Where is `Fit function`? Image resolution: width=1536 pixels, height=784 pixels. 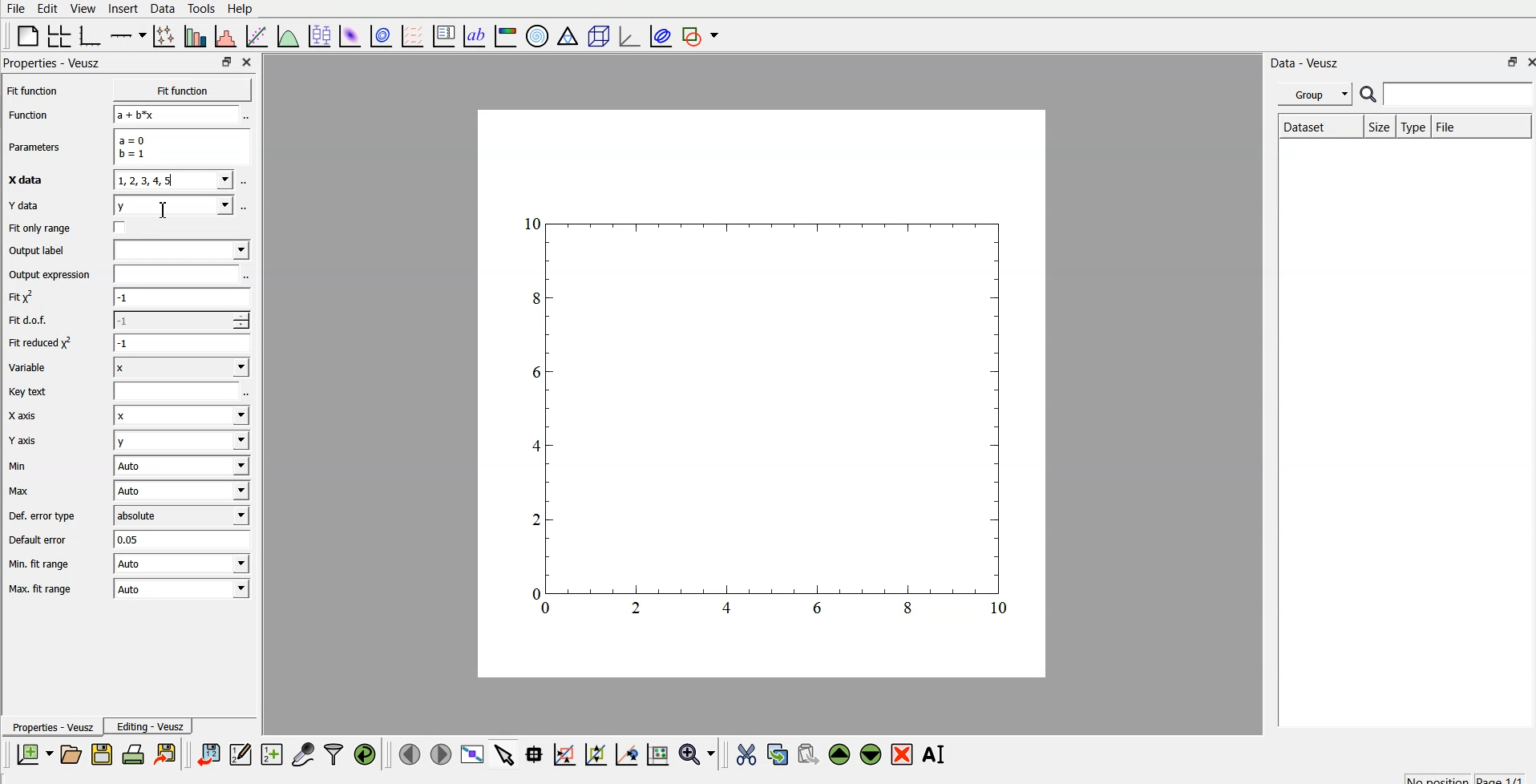
Fit function is located at coordinates (45, 91).